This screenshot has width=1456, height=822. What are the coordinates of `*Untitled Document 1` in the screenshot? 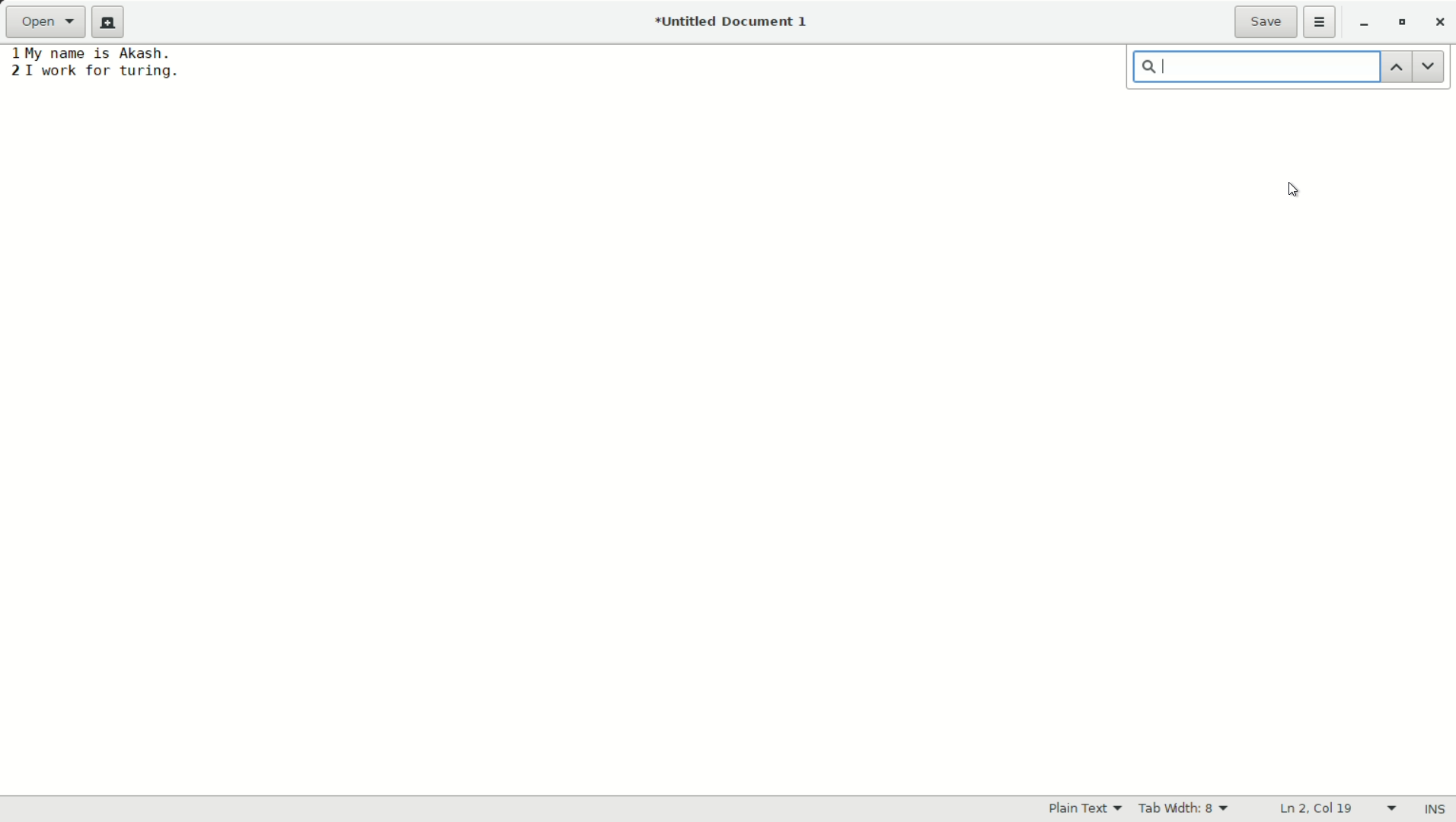 It's located at (734, 23).